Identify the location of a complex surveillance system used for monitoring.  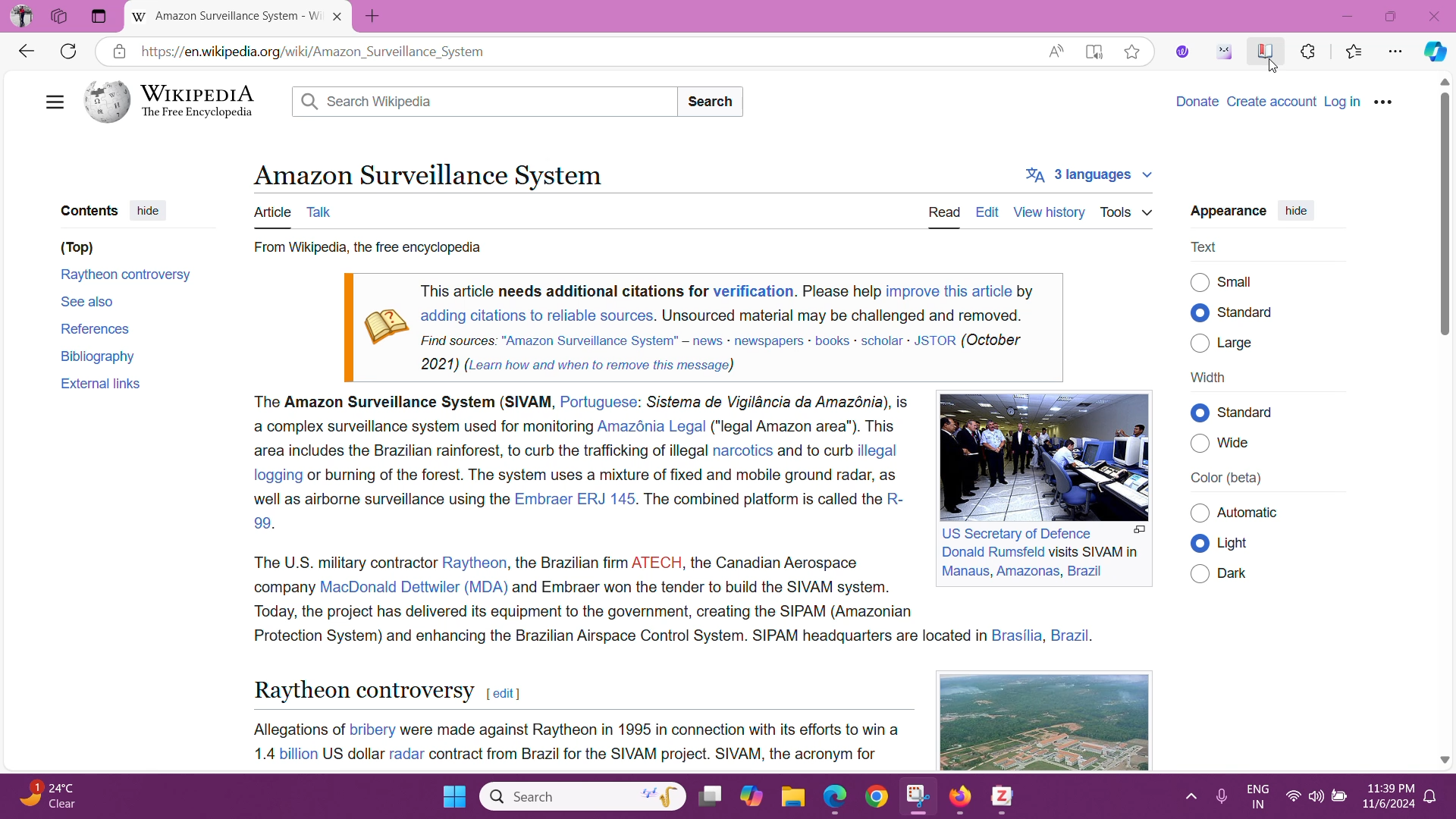
(419, 427).